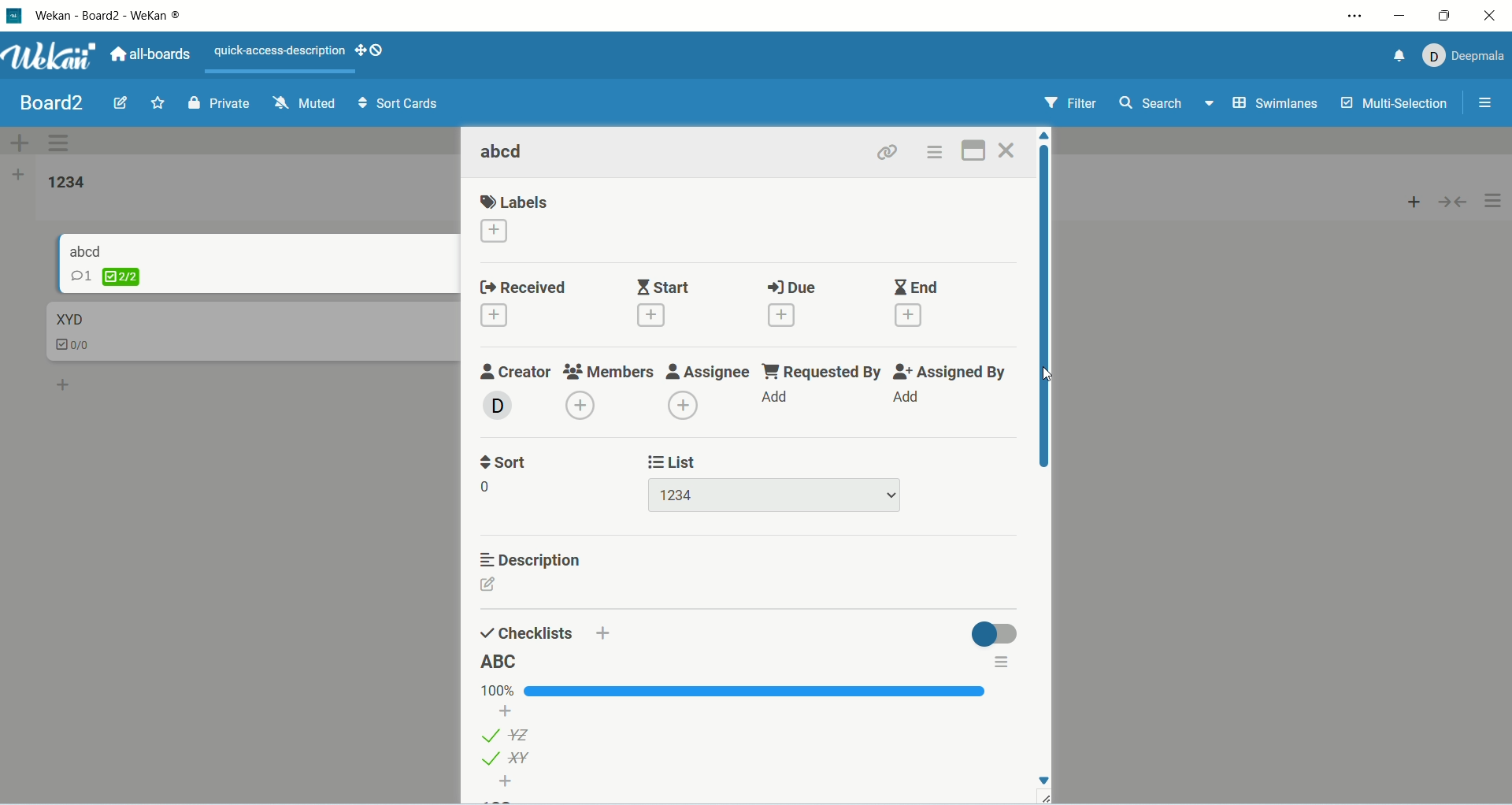  I want to click on add, so click(606, 632).